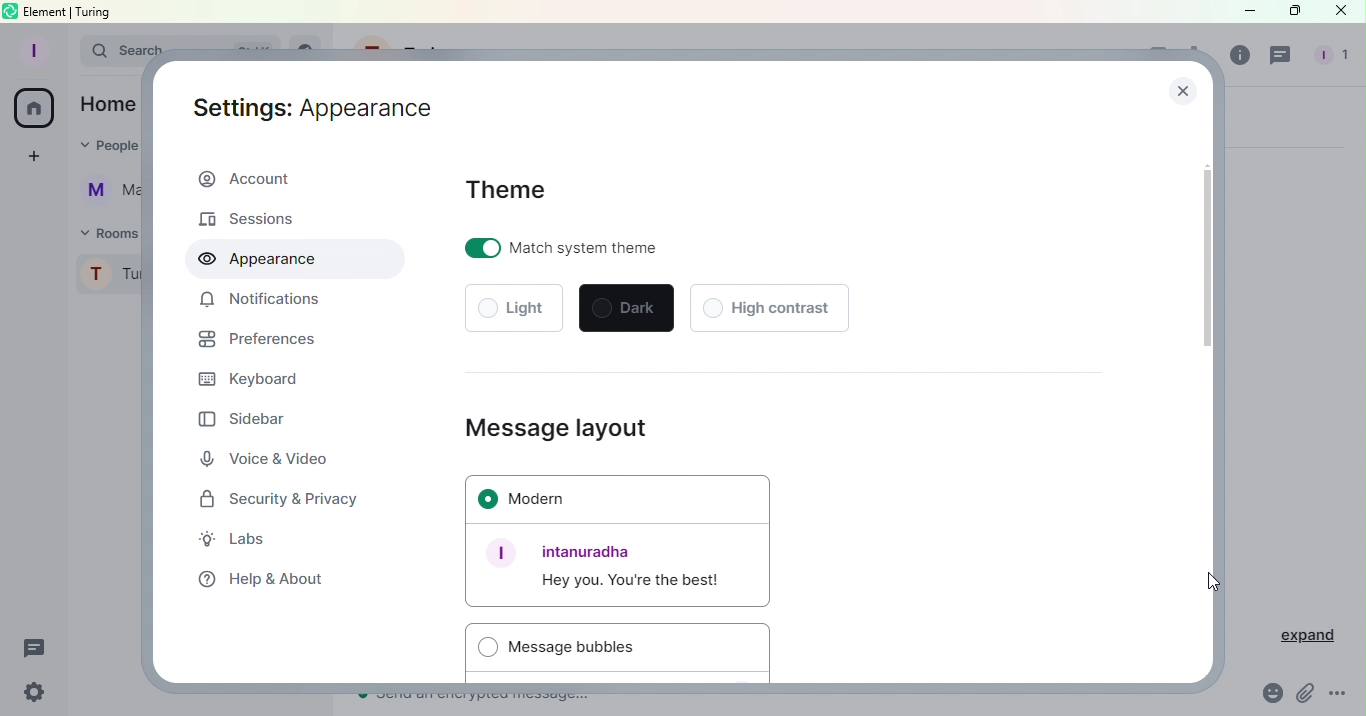 This screenshot has height=716, width=1366. What do you see at coordinates (106, 192) in the screenshot?
I see `Martina Tornello` at bounding box center [106, 192].